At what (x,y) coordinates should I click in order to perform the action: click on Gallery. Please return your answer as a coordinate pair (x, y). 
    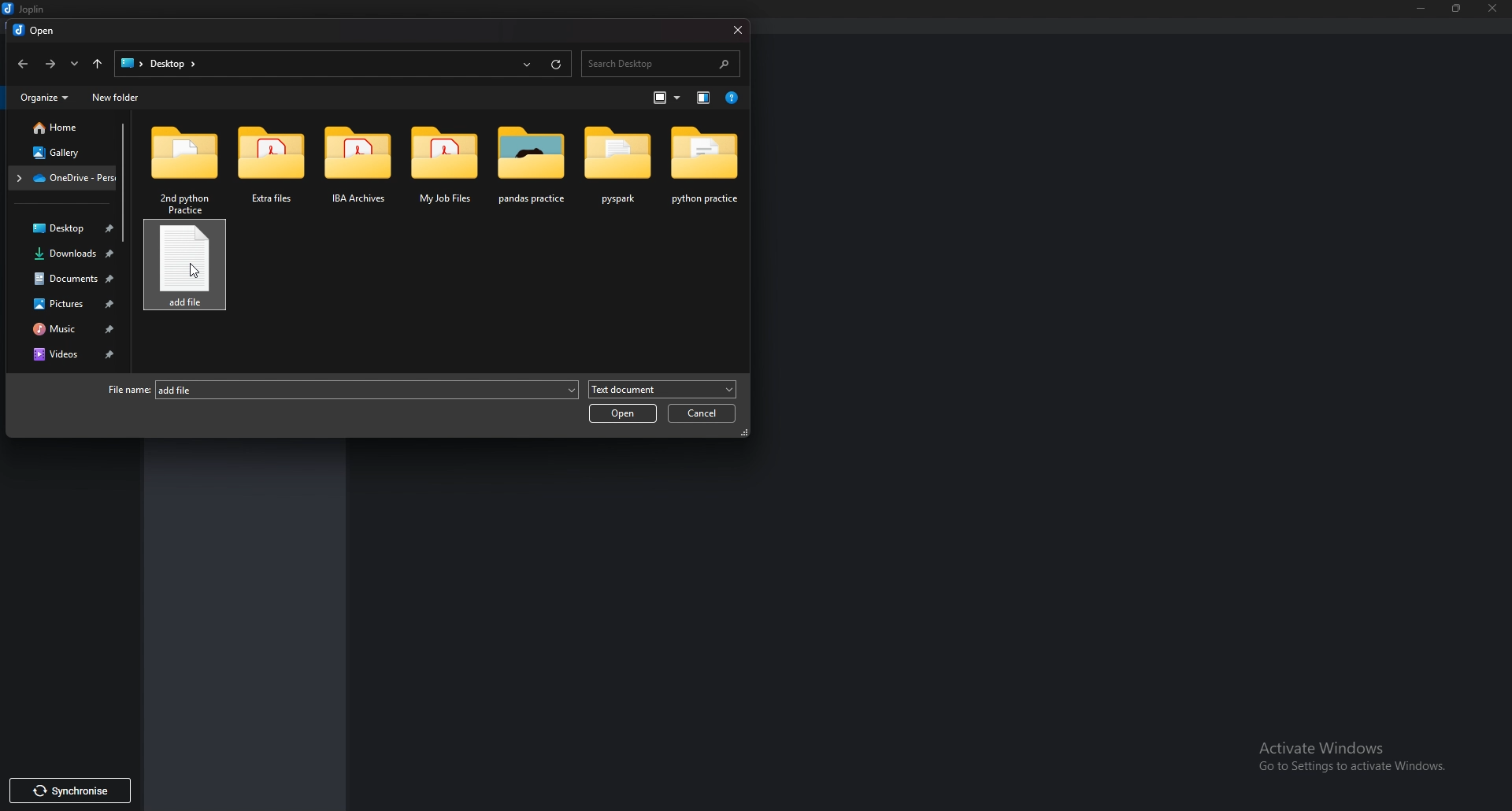
    Looking at the image, I should click on (60, 154).